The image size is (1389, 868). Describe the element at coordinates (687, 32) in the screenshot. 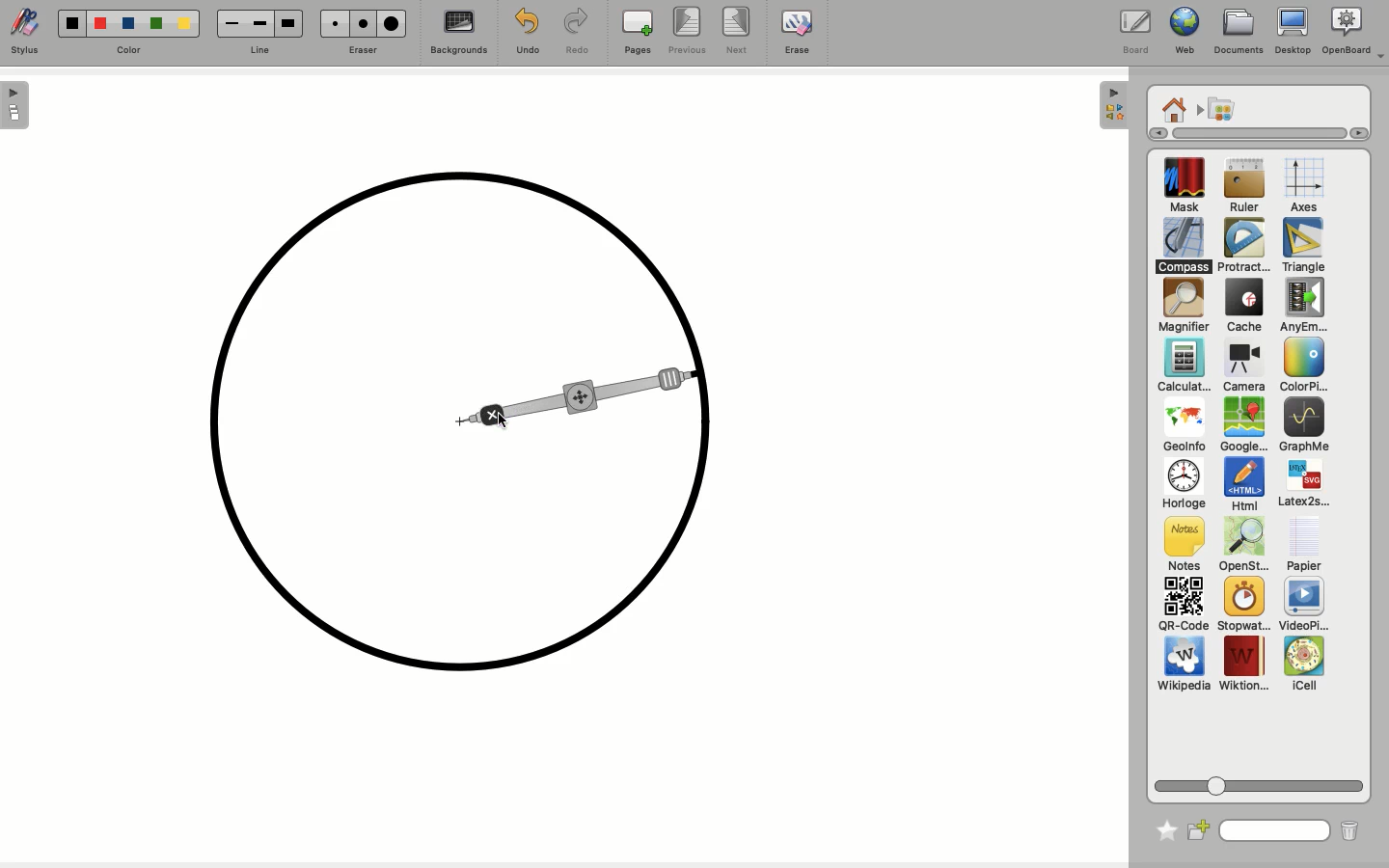

I see `Previous` at that location.